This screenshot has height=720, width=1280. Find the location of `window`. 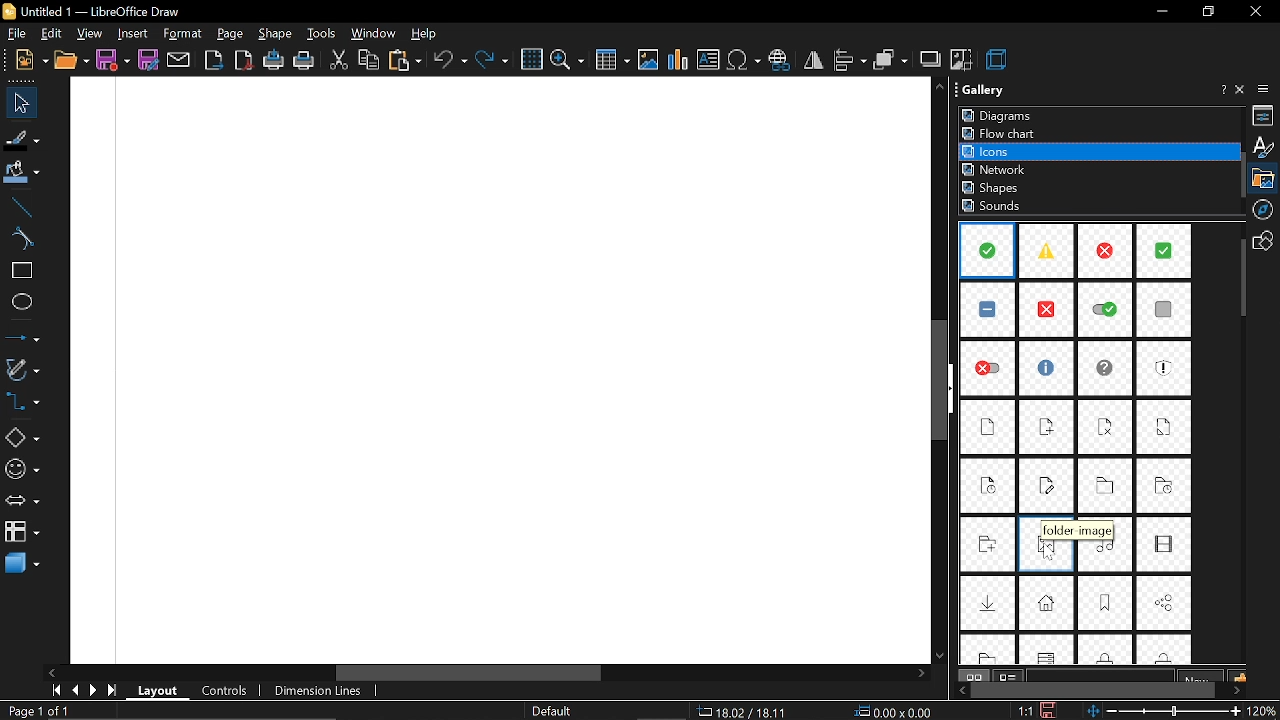

window is located at coordinates (372, 34).